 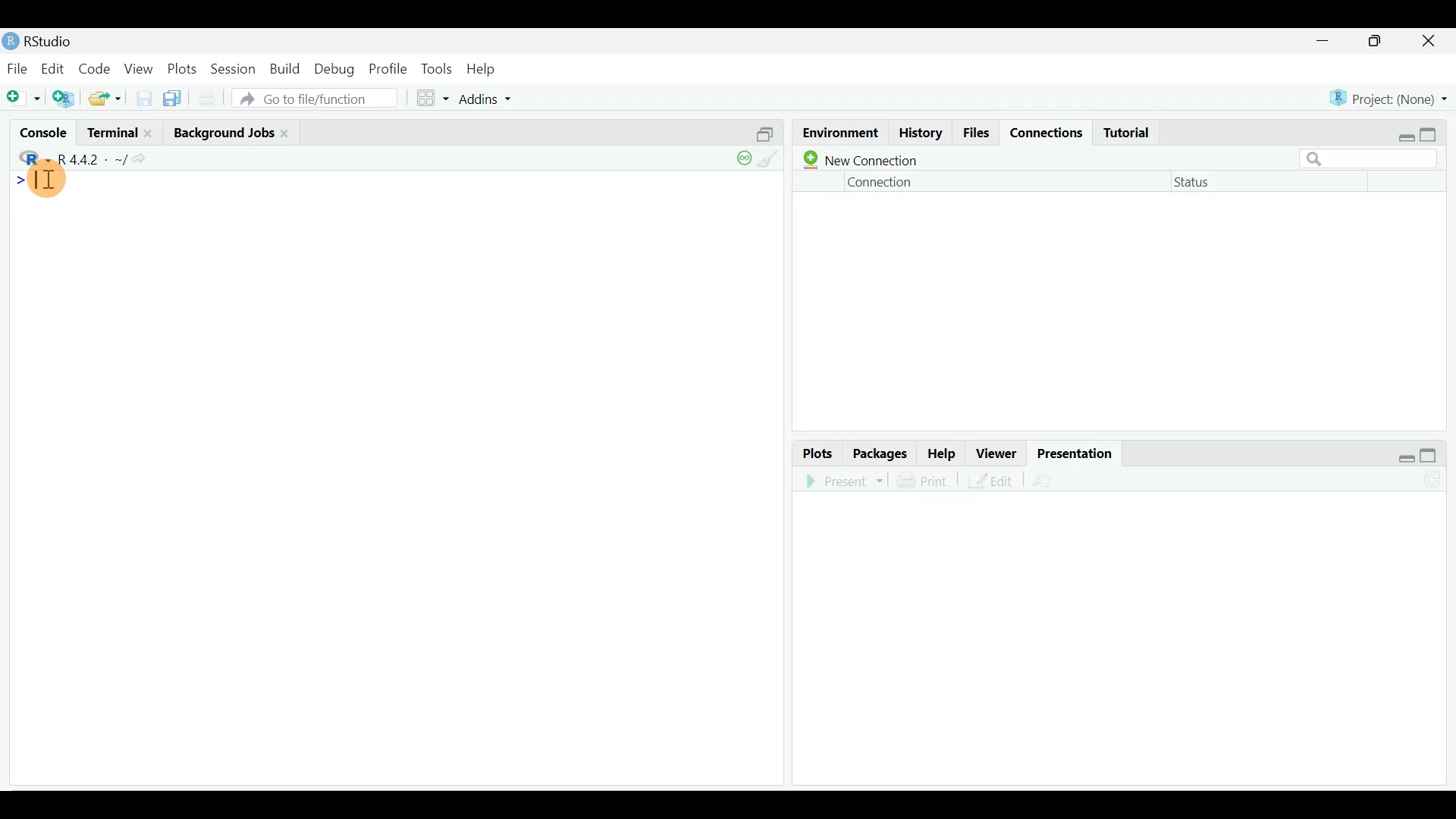 I want to click on Close terminal, so click(x=154, y=134).